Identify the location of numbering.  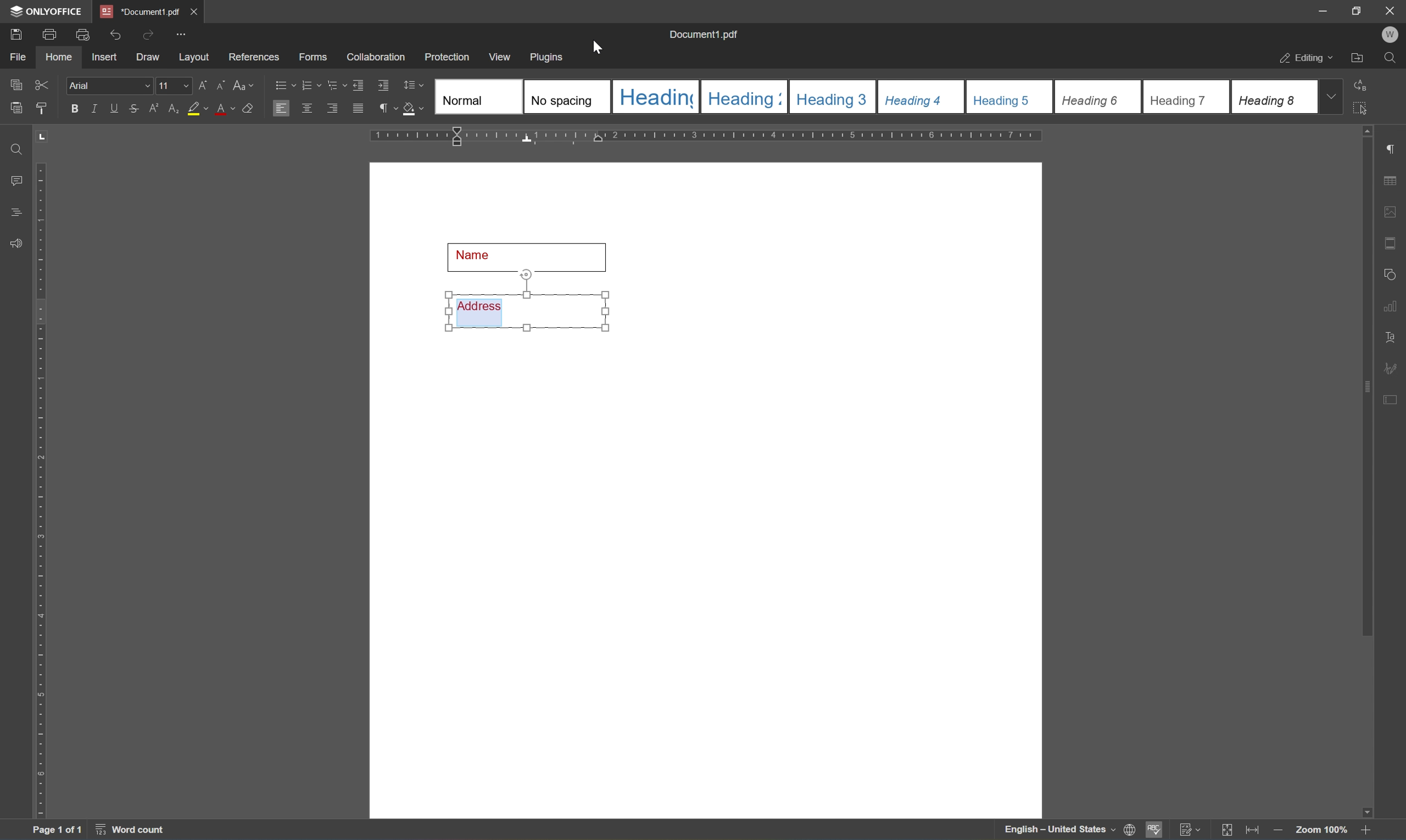
(311, 85).